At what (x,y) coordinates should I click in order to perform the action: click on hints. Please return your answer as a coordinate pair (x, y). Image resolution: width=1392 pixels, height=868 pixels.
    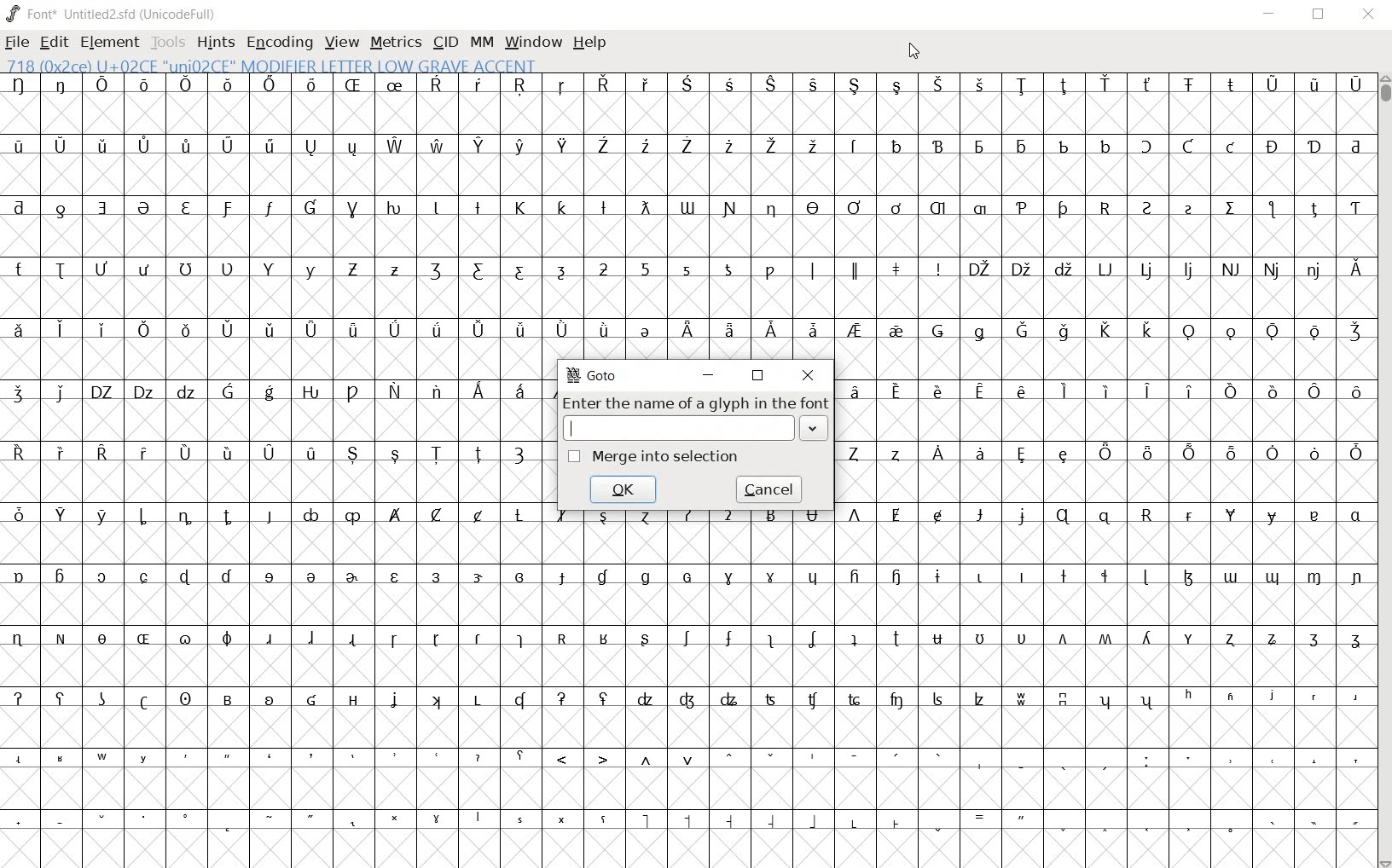
    Looking at the image, I should click on (214, 43).